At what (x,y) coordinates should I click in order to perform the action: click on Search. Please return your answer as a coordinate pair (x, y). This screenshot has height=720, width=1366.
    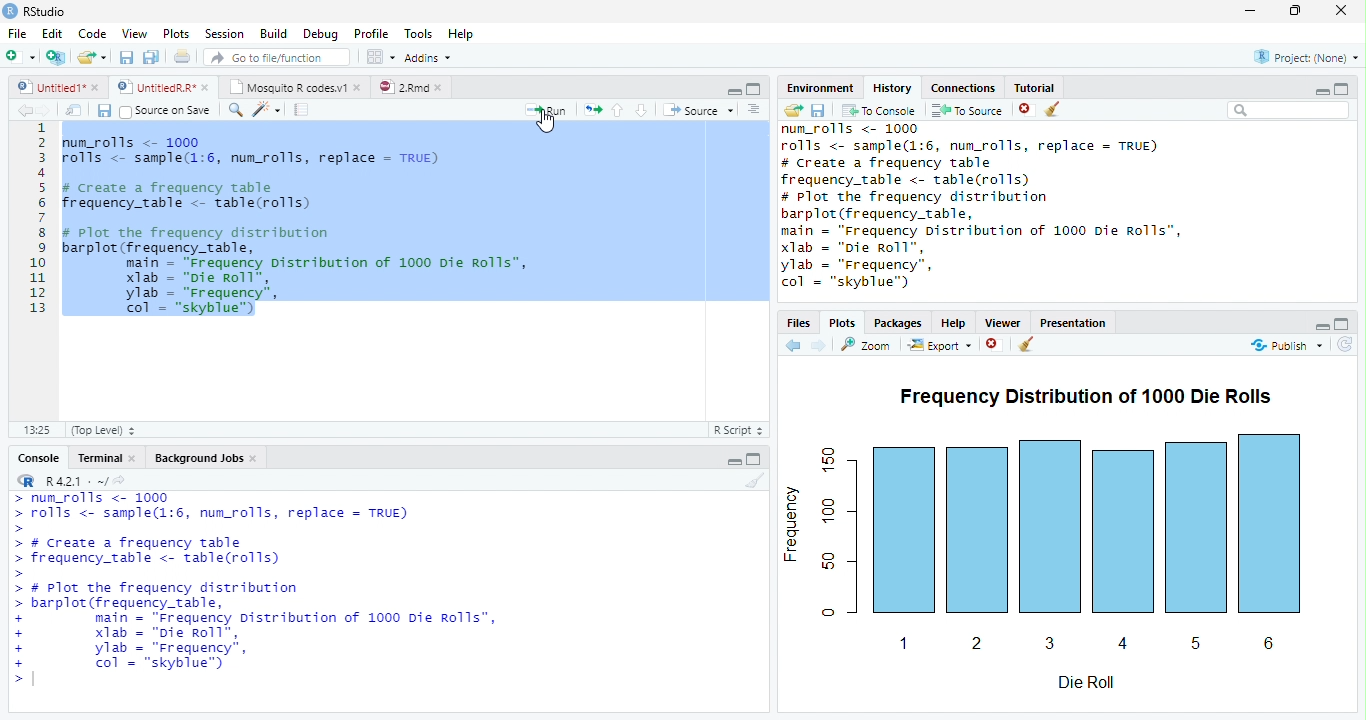
    Looking at the image, I should click on (1287, 110).